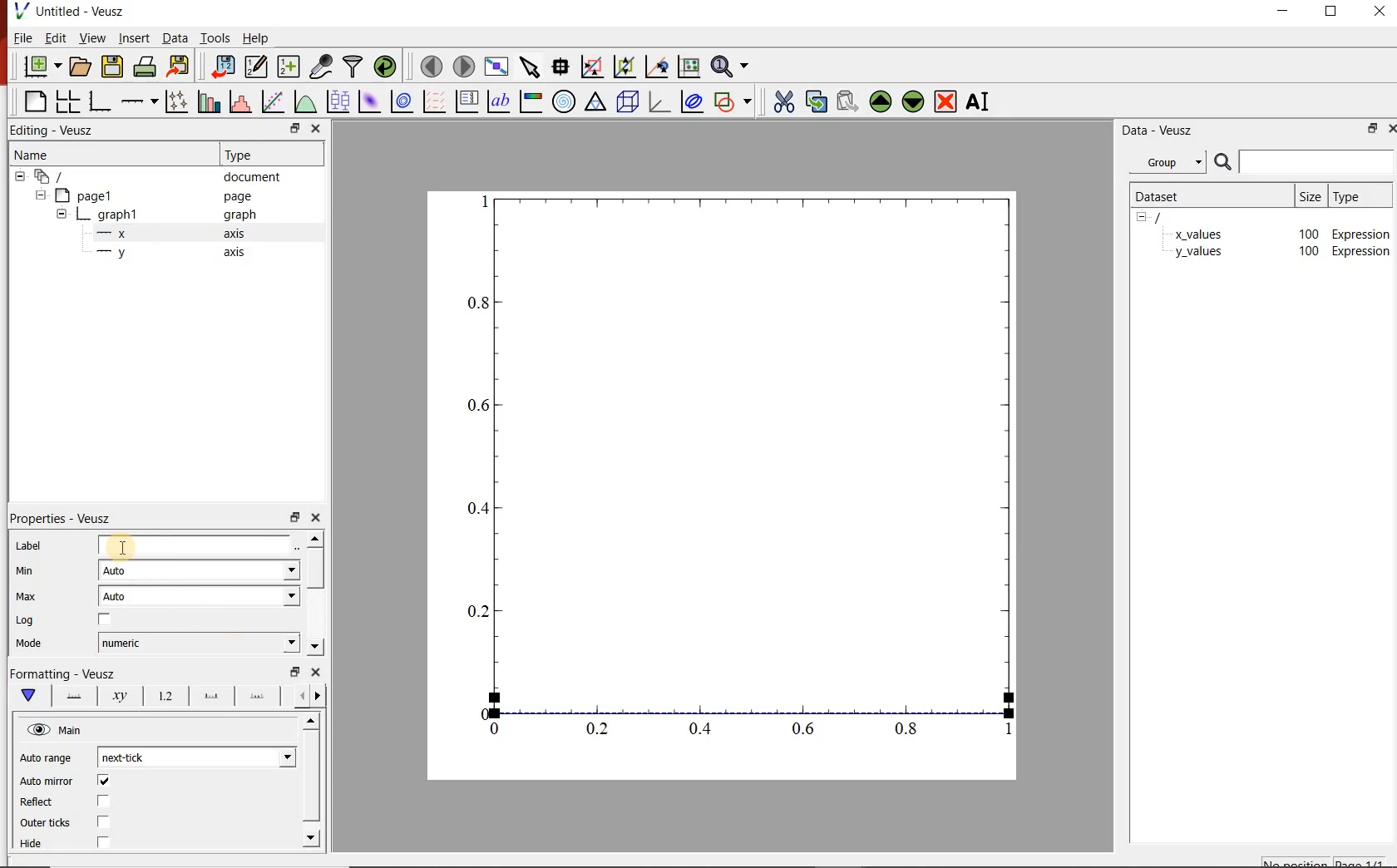 This screenshot has width=1397, height=868. I want to click on 3d graph, so click(660, 104).